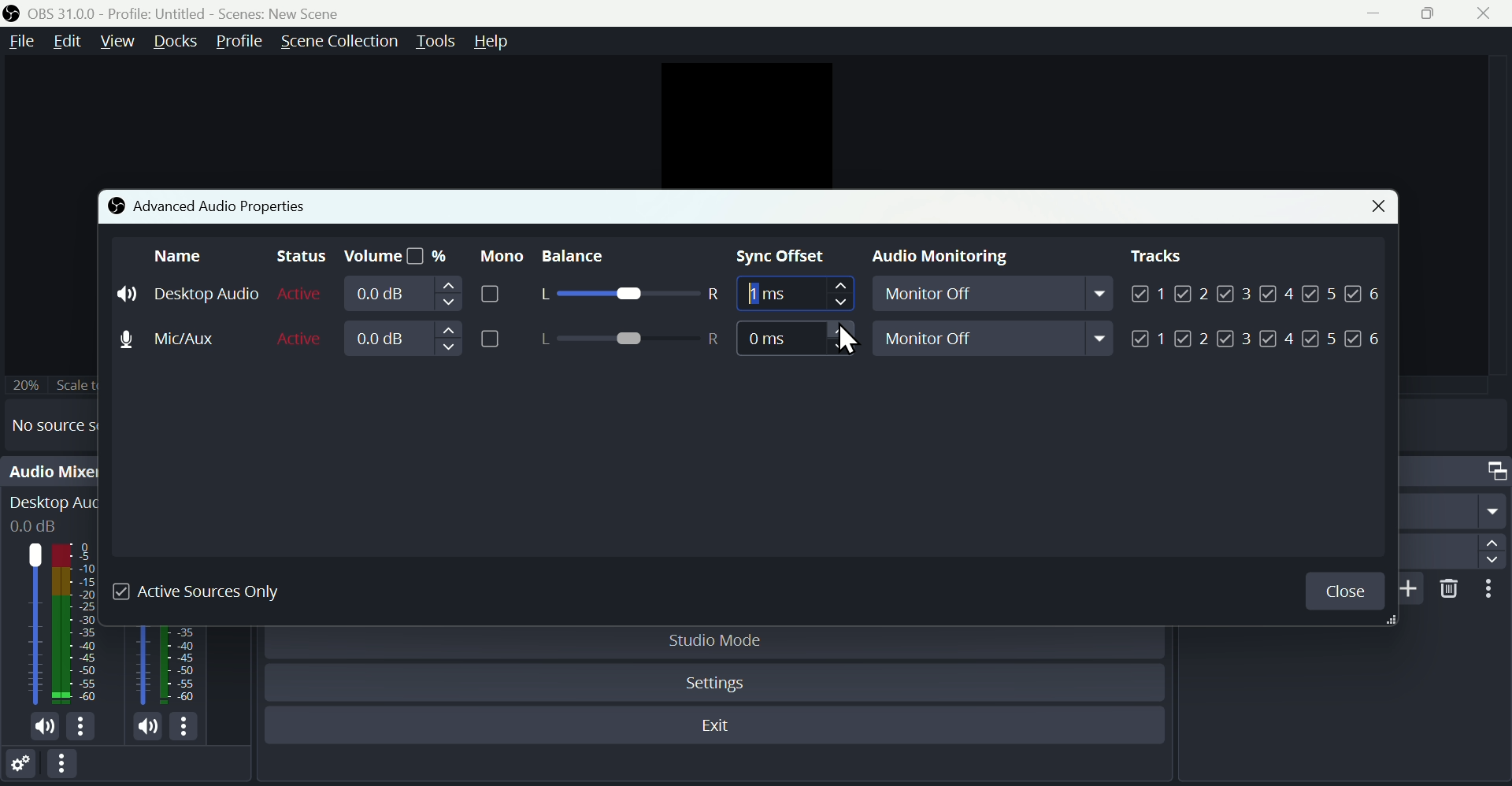 The image size is (1512, 786). Describe the element at coordinates (198, 13) in the screenshot. I see `OBS 31.0 .0 profile: untitled Scene: New scene` at that location.